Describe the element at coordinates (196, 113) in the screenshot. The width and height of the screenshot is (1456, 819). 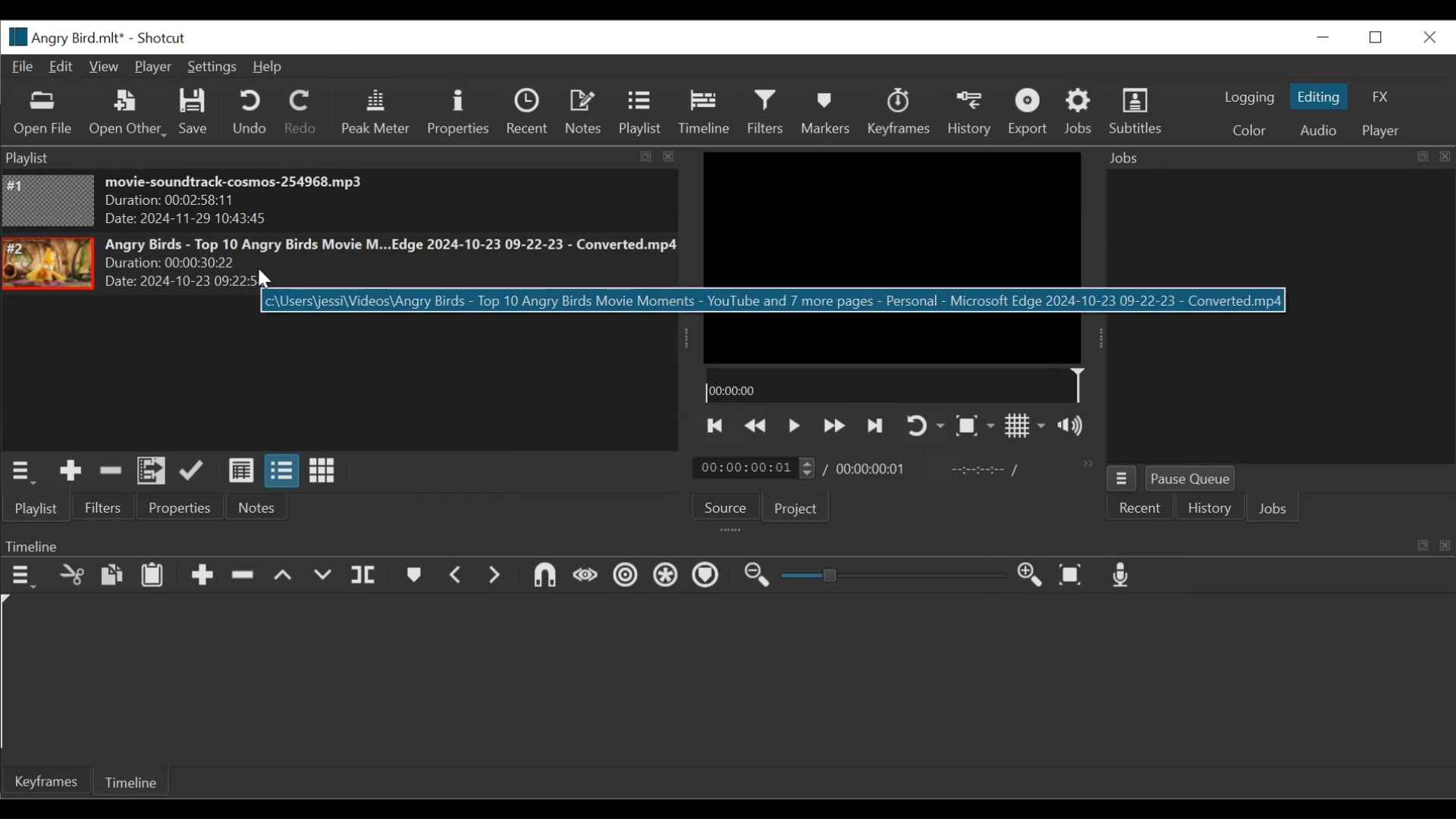
I see `Save` at that location.